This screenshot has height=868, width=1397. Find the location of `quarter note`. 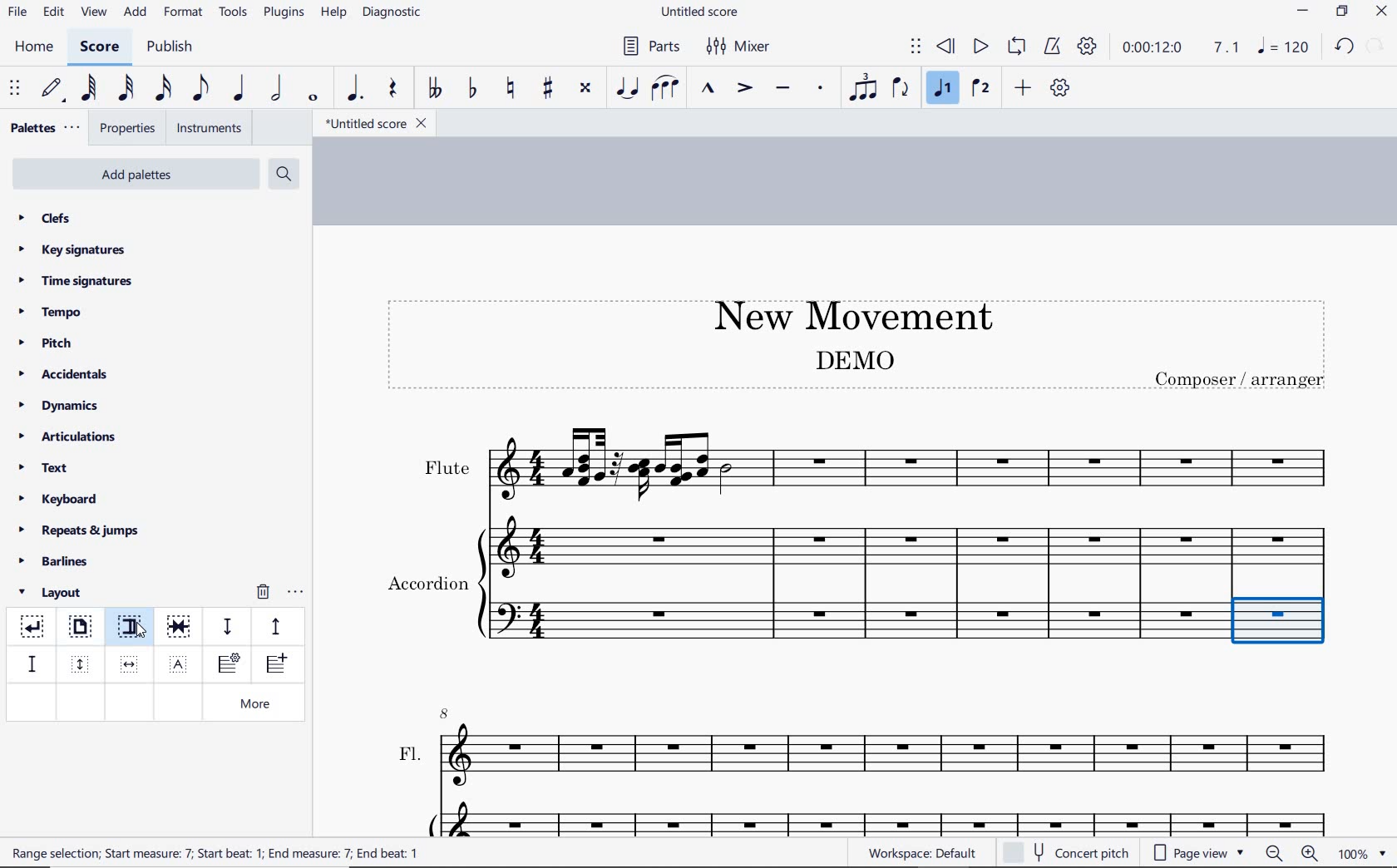

quarter note is located at coordinates (238, 89).